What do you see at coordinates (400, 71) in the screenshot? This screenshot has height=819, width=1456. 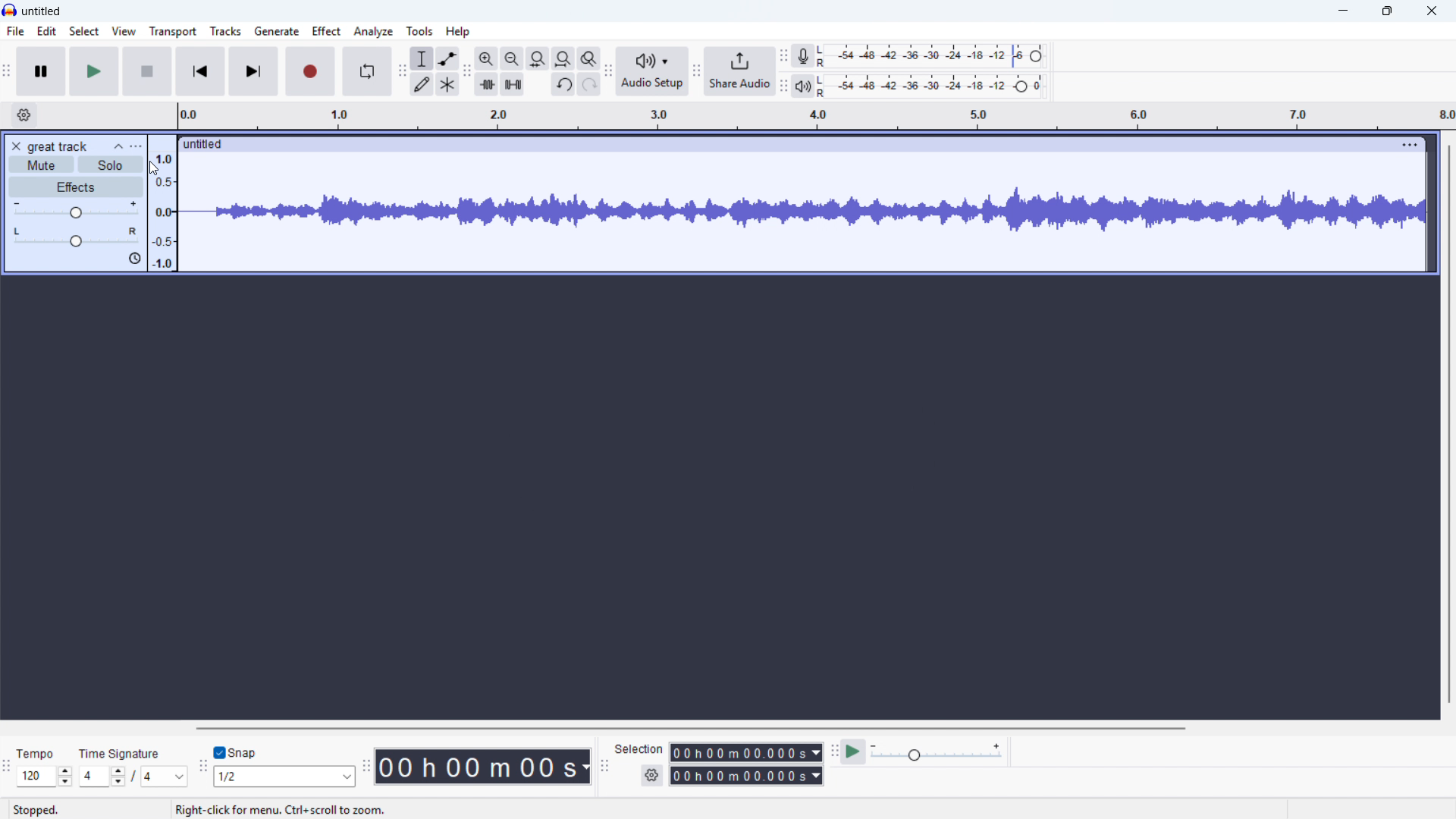 I see `Tools toolbar ` at bounding box center [400, 71].